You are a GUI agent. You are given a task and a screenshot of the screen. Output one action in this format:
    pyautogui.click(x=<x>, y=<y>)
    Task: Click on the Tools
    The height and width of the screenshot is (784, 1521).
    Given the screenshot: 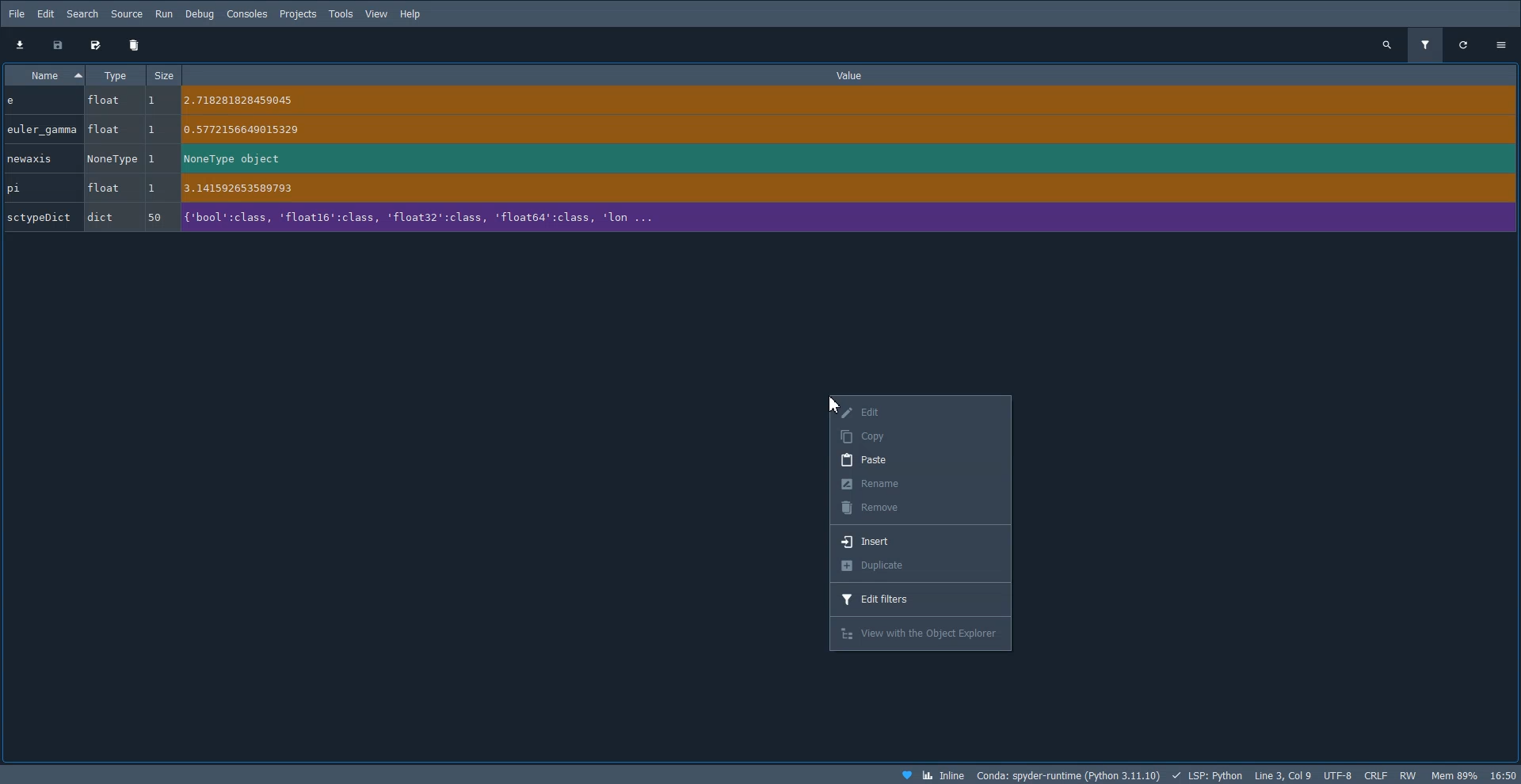 What is the action you would take?
    pyautogui.click(x=341, y=13)
    